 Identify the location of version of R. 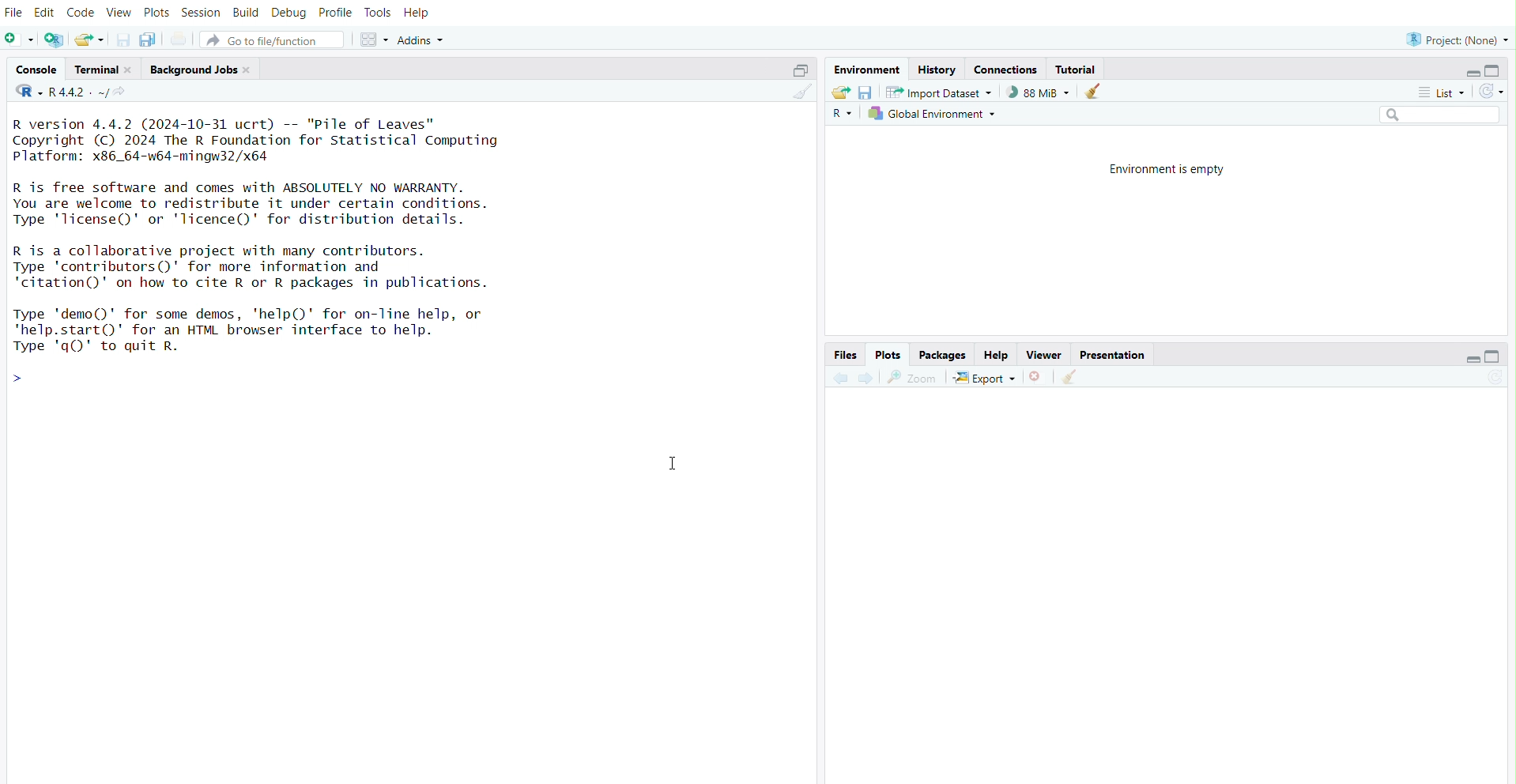
(289, 138).